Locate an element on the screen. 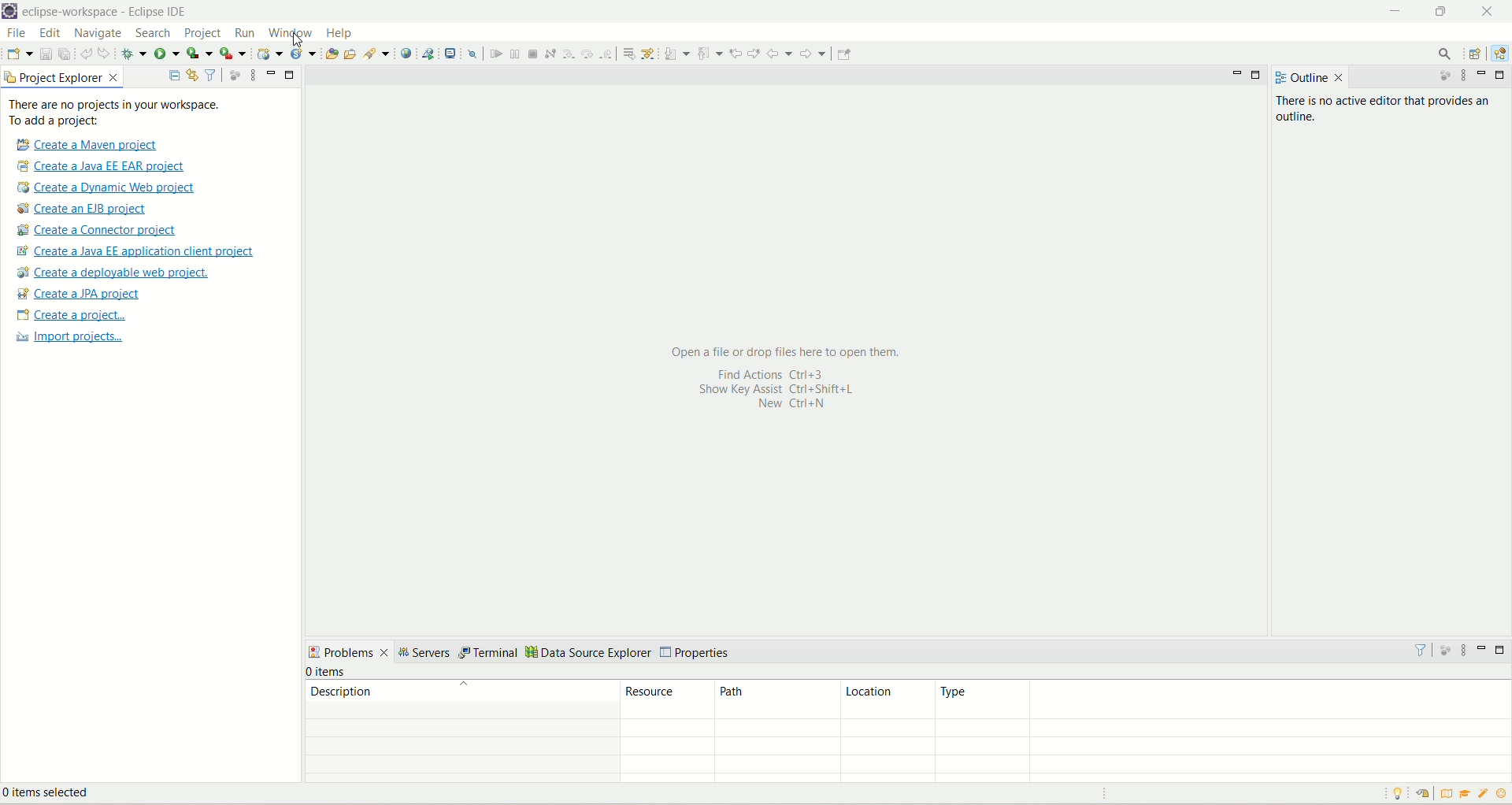  0 items is located at coordinates (328, 672).